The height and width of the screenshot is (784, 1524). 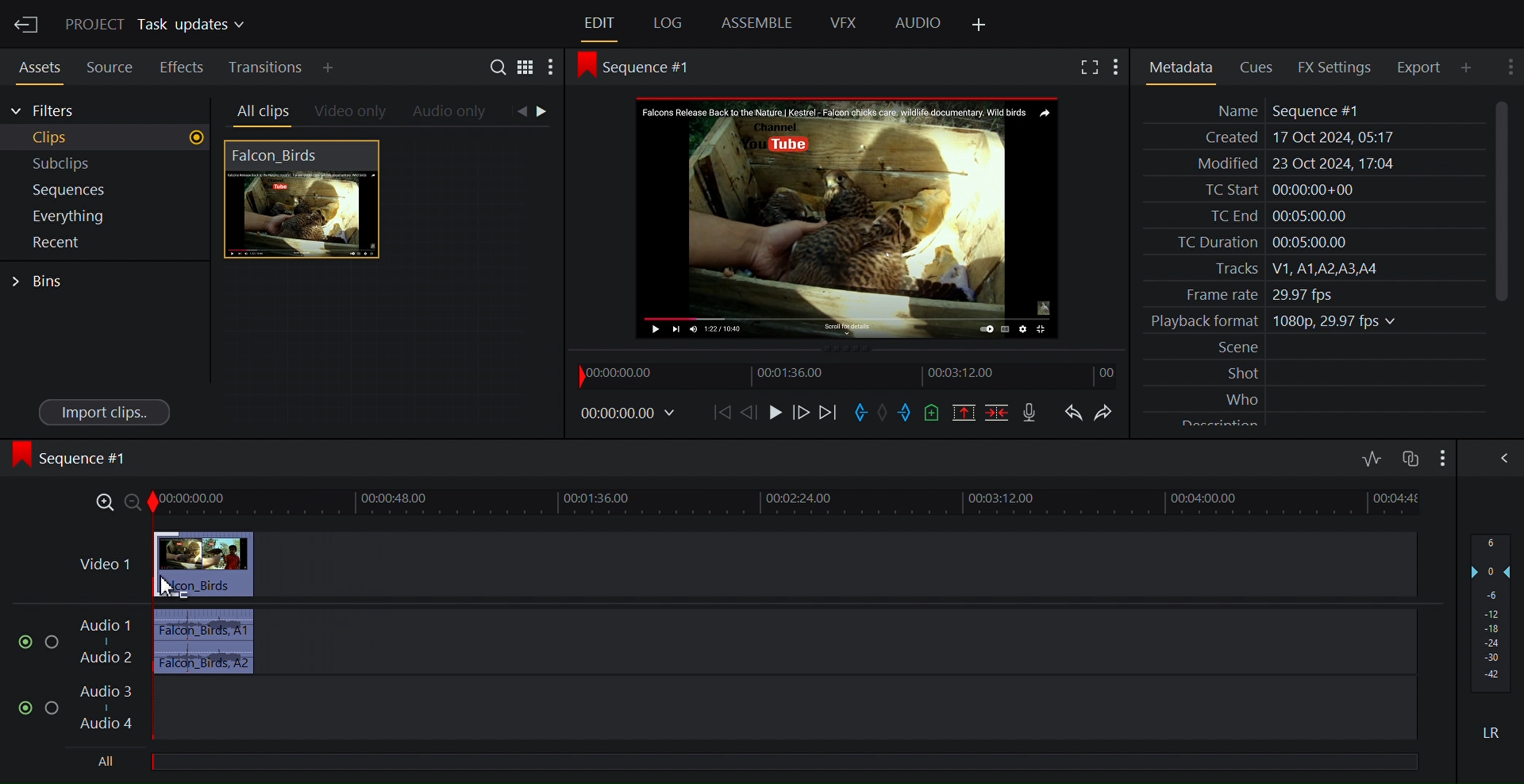 What do you see at coordinates (260, 112) in the screenshot?
I see `All clips` at bounding box center [260, 112].